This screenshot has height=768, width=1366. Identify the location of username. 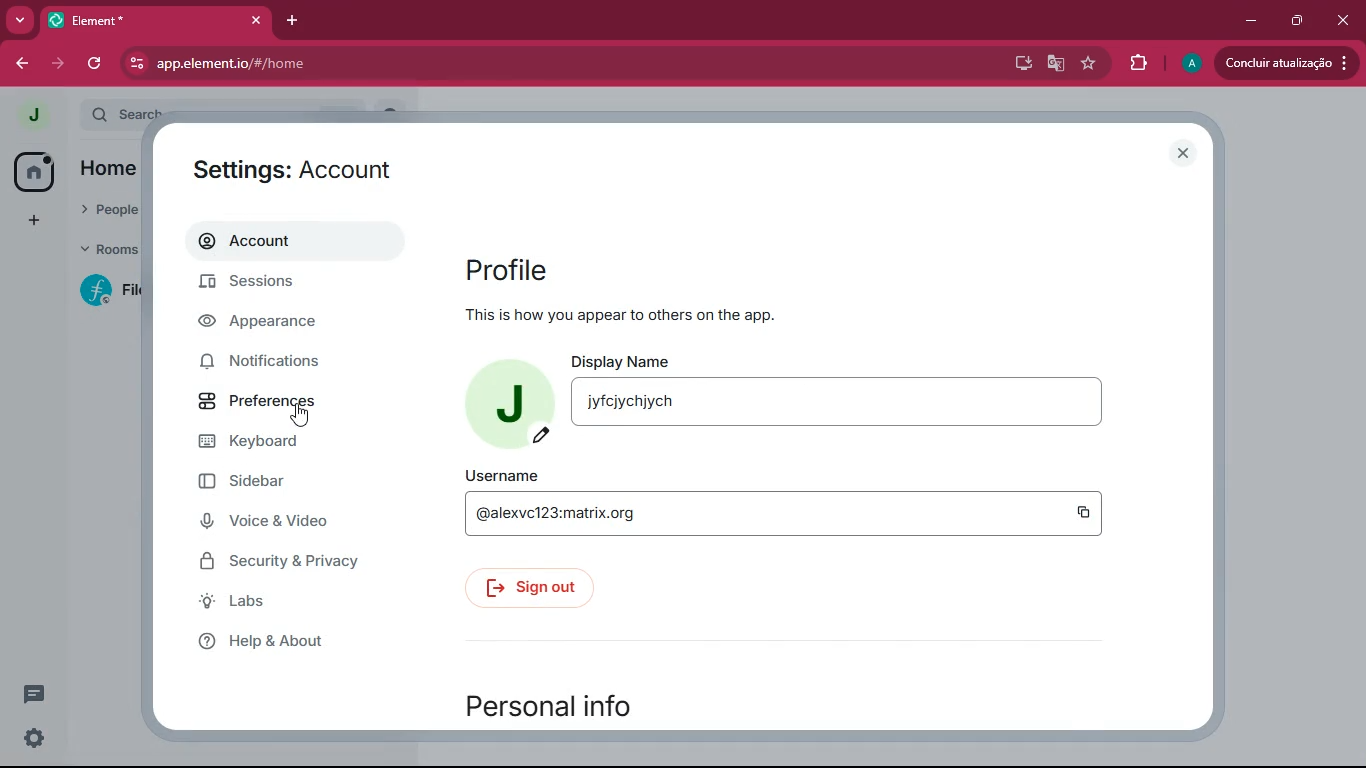
(783, 505).